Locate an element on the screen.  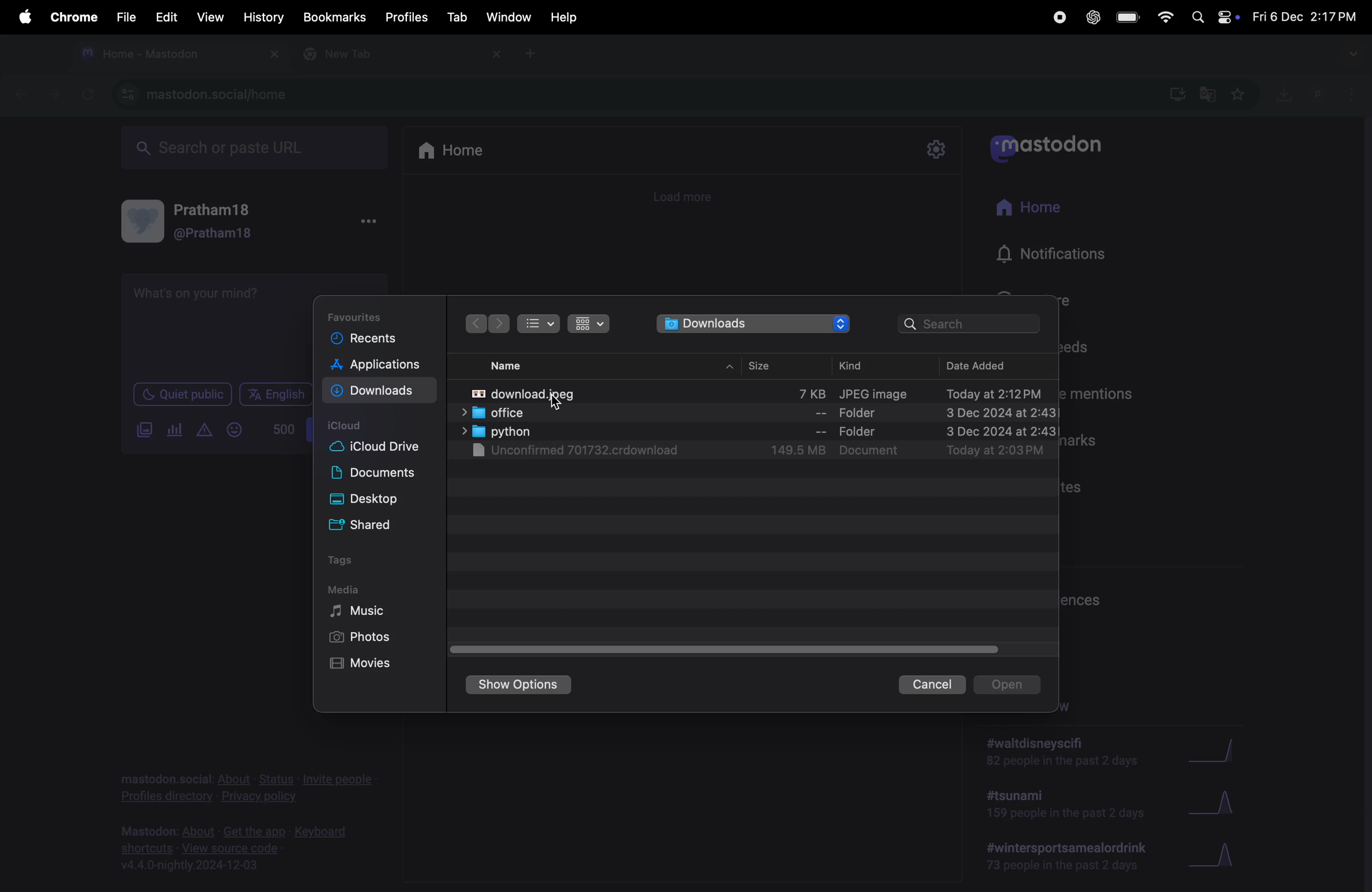
drop up is located at coordinates (731, 364).